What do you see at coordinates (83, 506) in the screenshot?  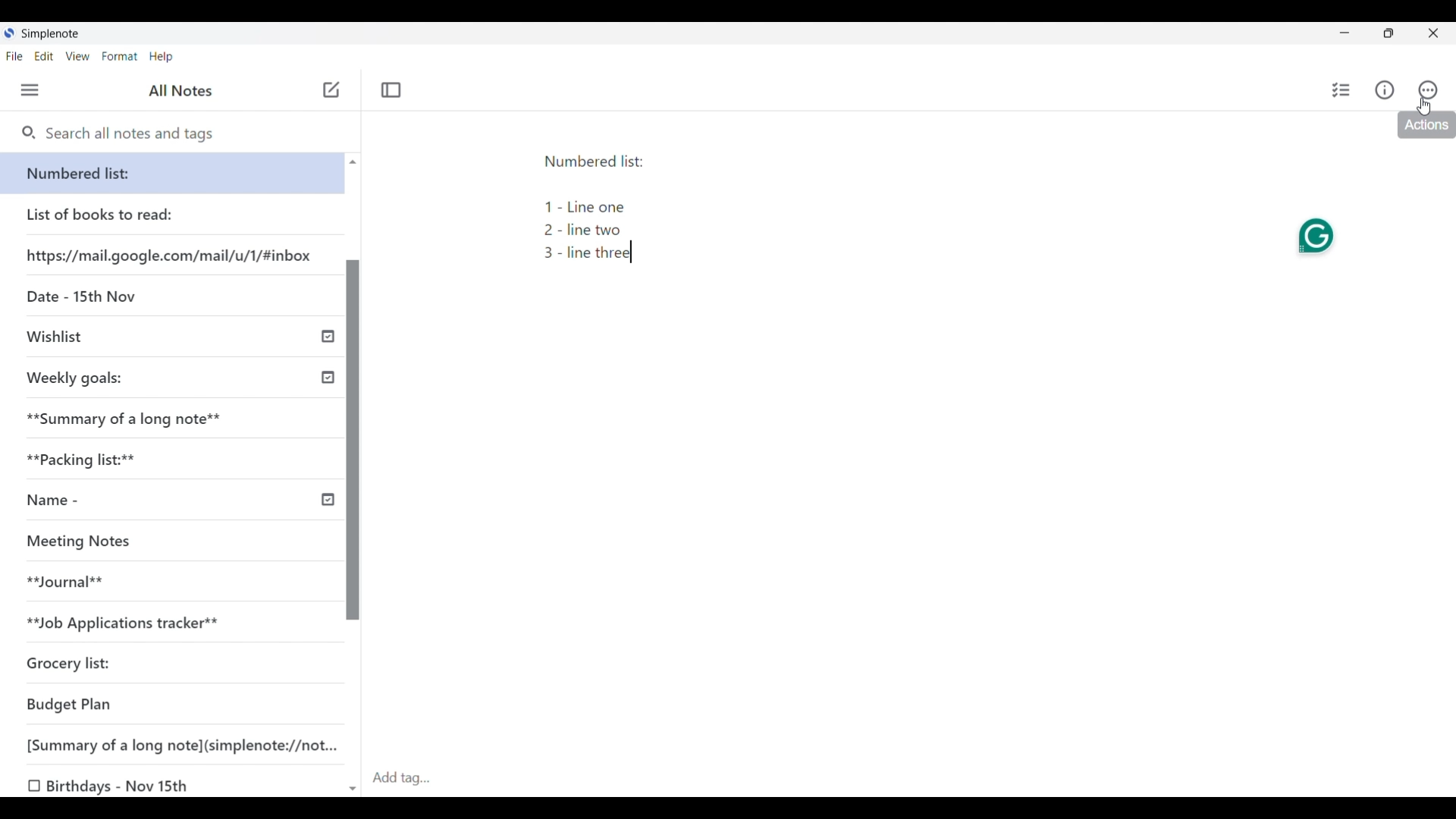 I see `Name ` at bounding box center [83, 506].